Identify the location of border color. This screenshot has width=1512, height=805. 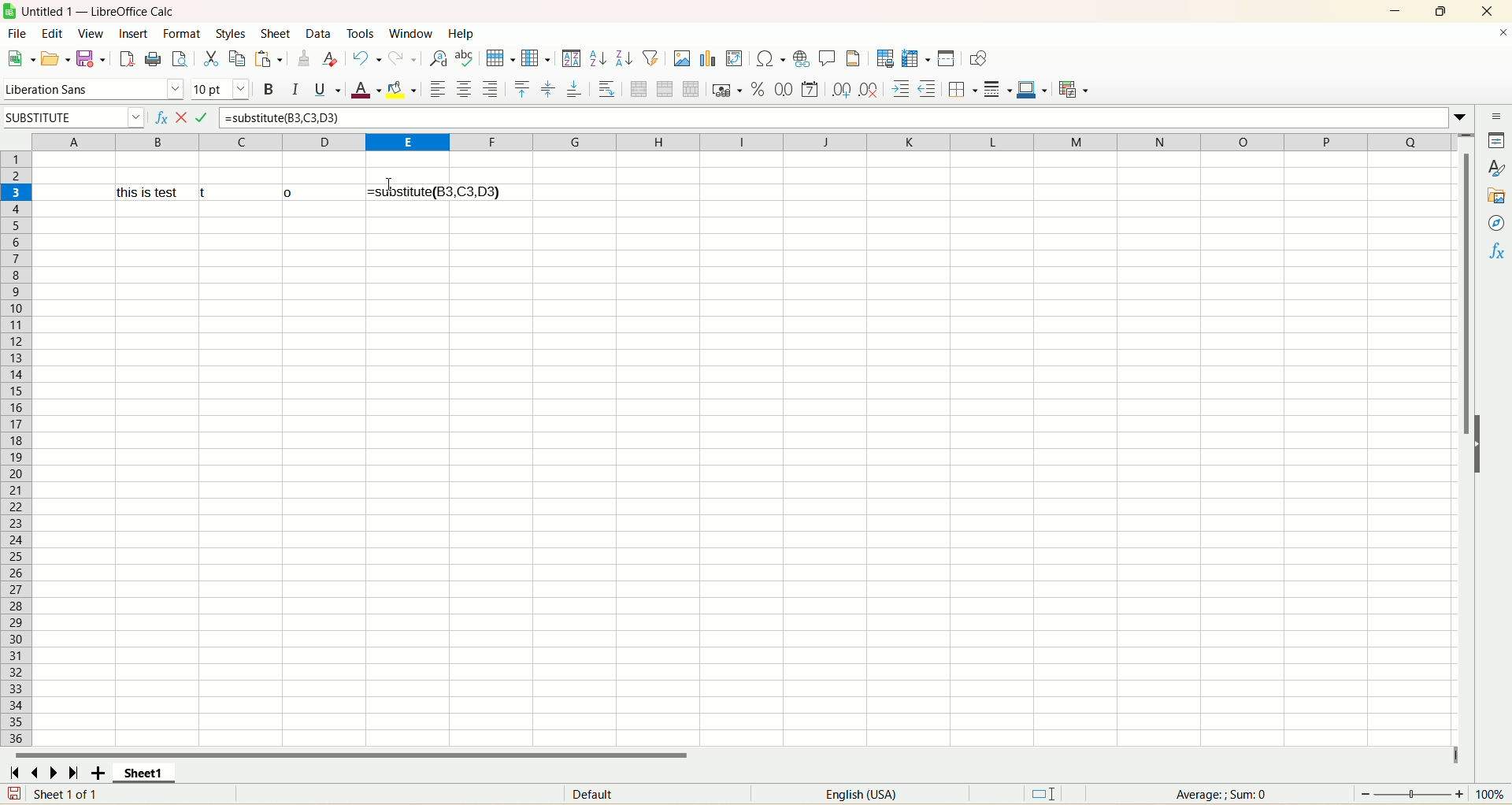
(1031, 89).